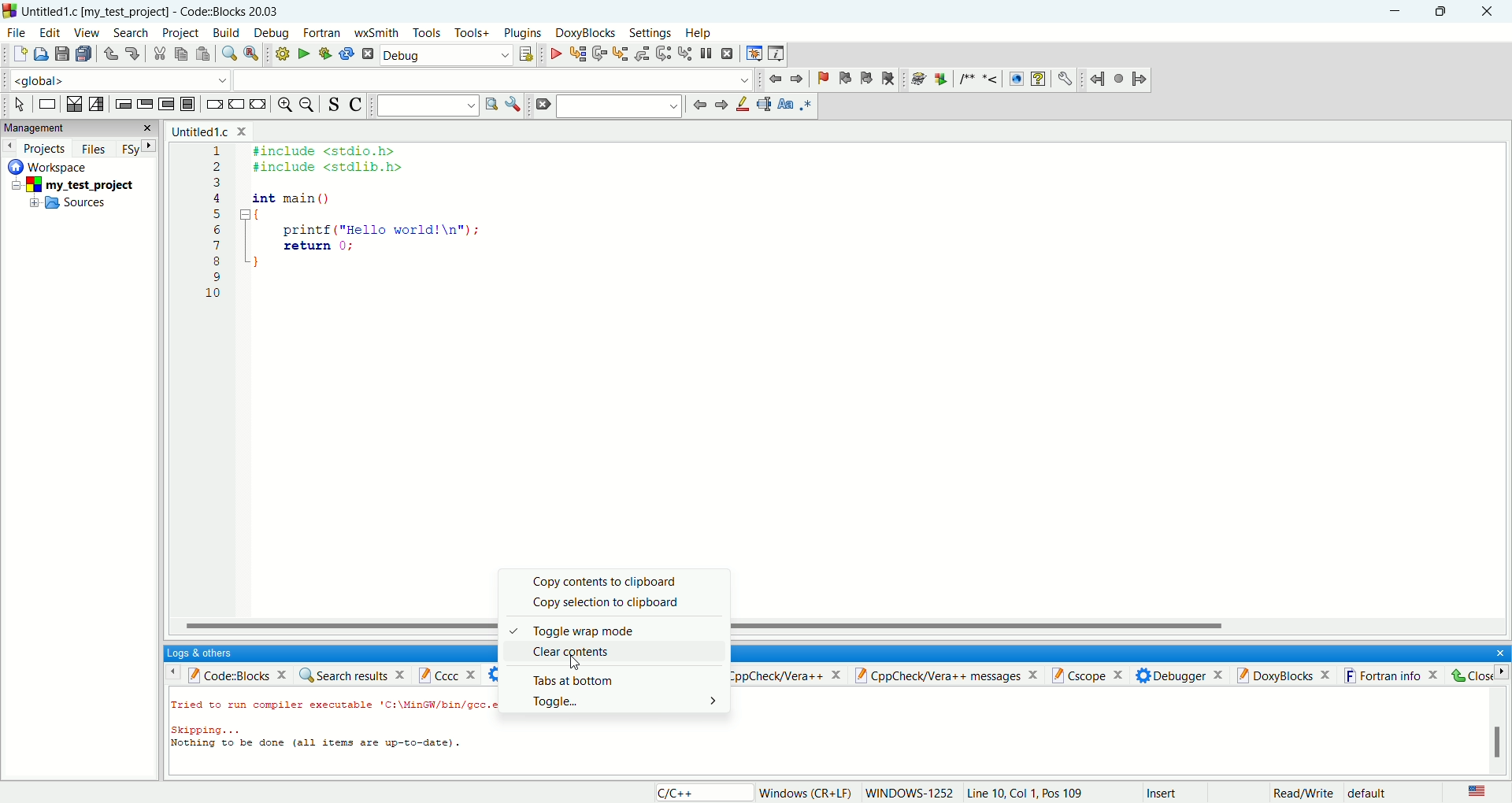 The height and width of the screenshot is (803, 1512). What do you see at coordinates (227, 32) in the screenshot?
I see `build` at bounding box center [227, 32].